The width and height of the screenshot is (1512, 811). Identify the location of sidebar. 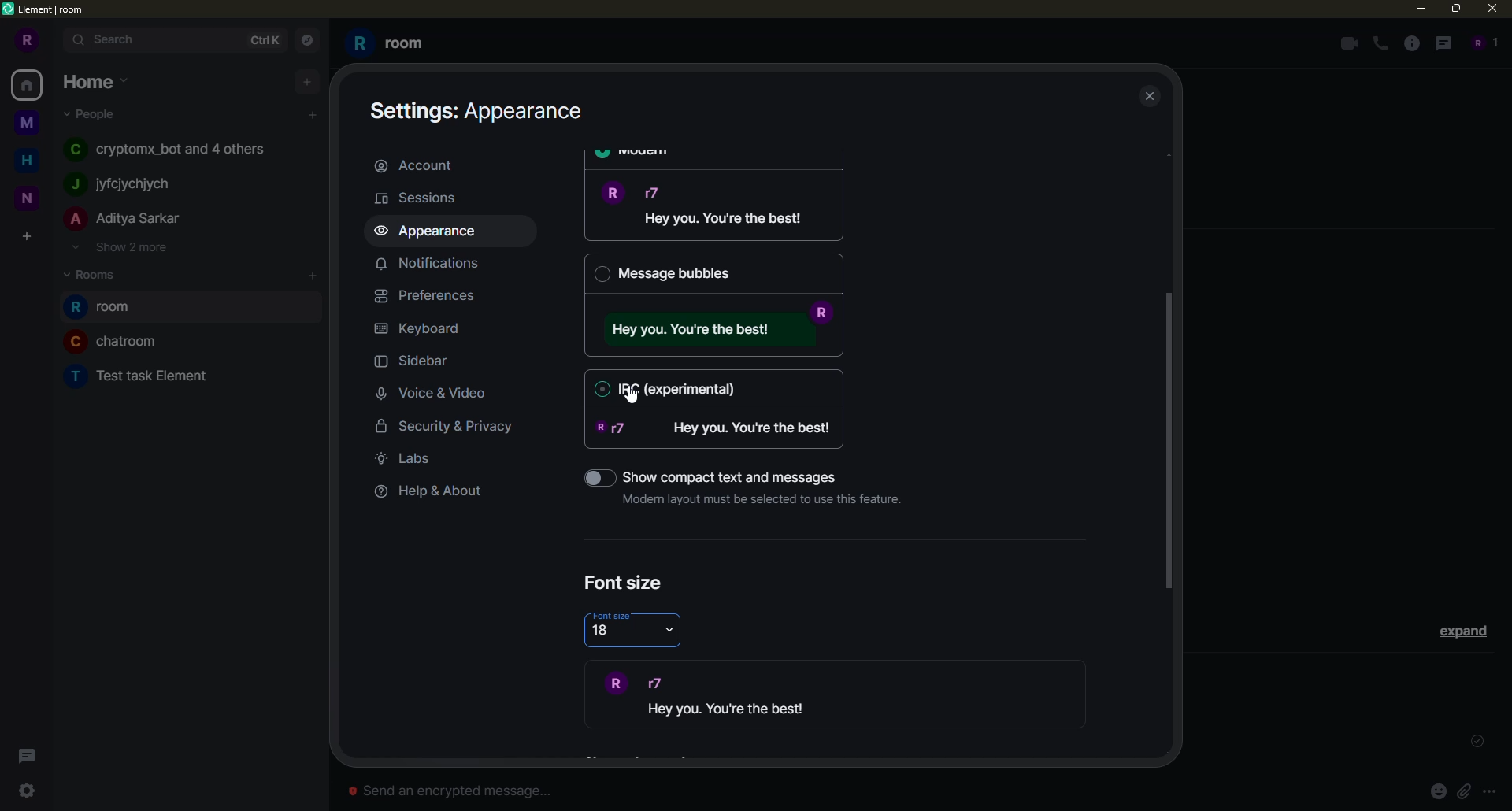
(413, 362).